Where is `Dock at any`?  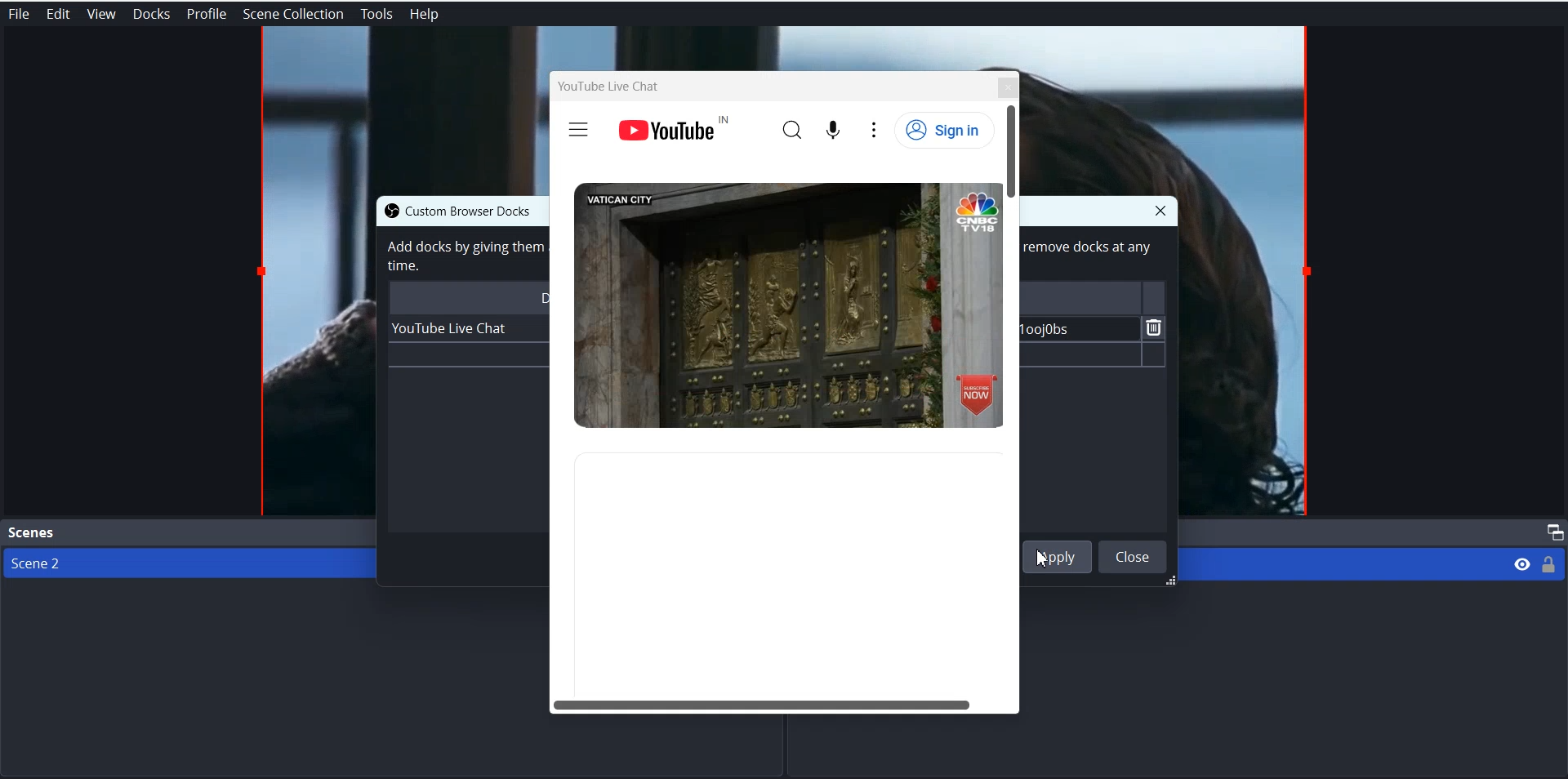 Dock at any is located at coordinates (1089, 252).